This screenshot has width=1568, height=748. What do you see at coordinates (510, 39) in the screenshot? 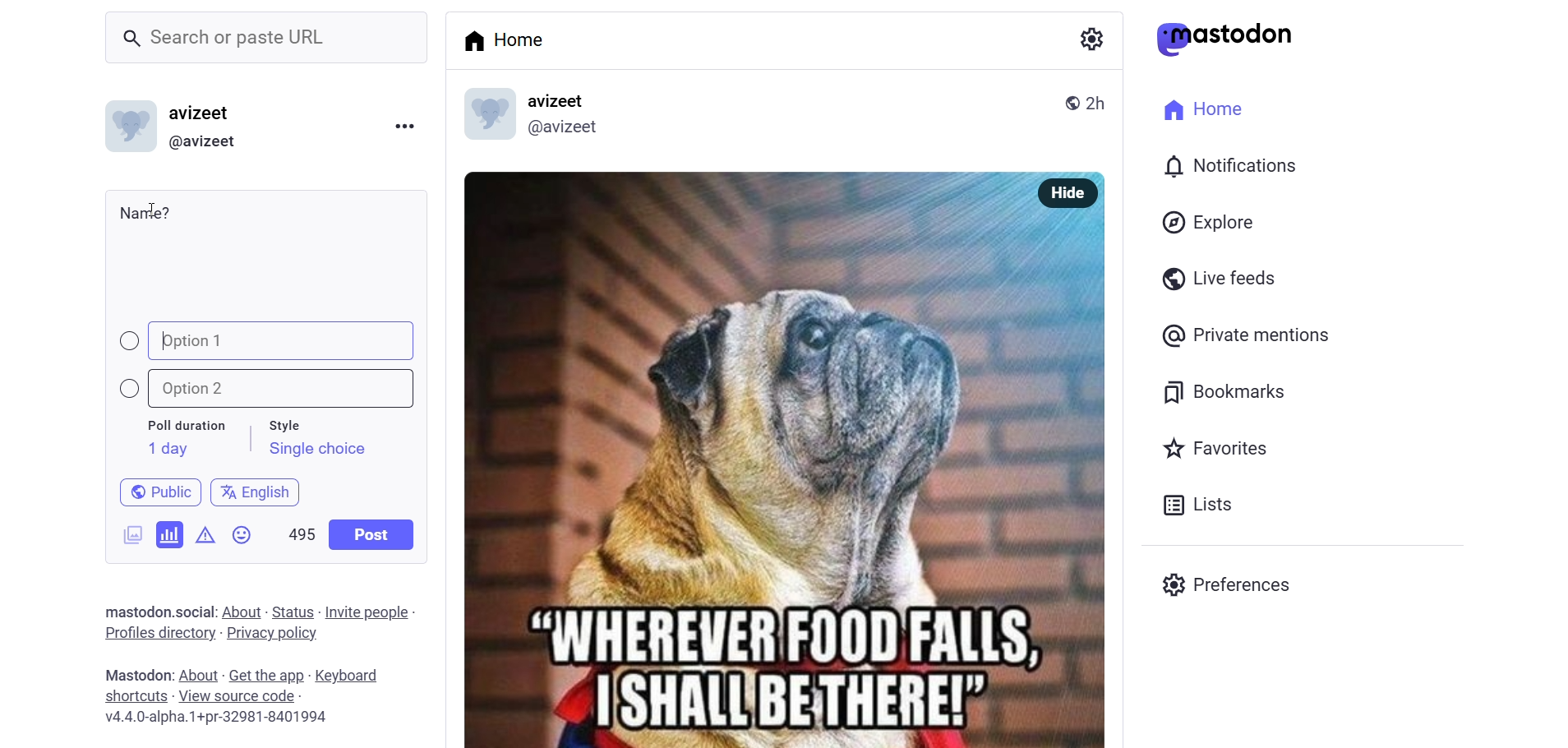
I see `home` at bounding box center [510, 39].